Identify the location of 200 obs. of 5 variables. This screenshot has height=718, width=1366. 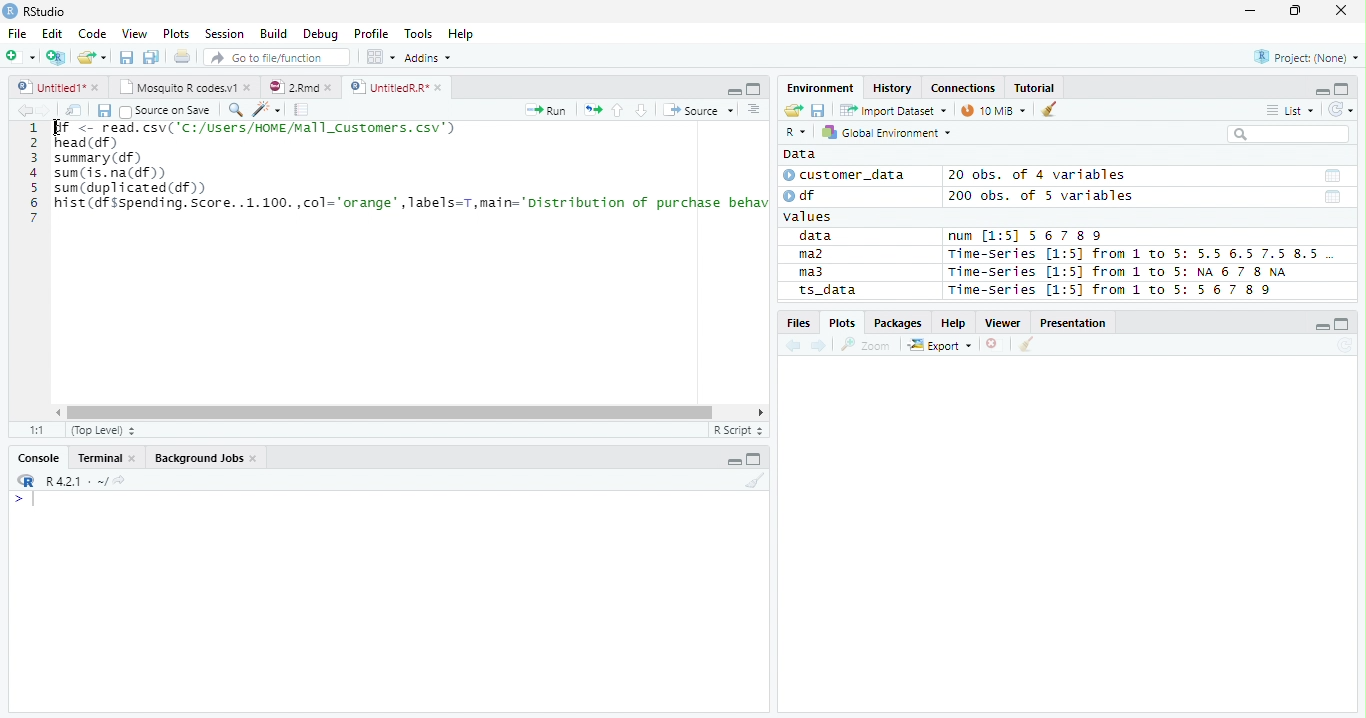
(1038, 198).